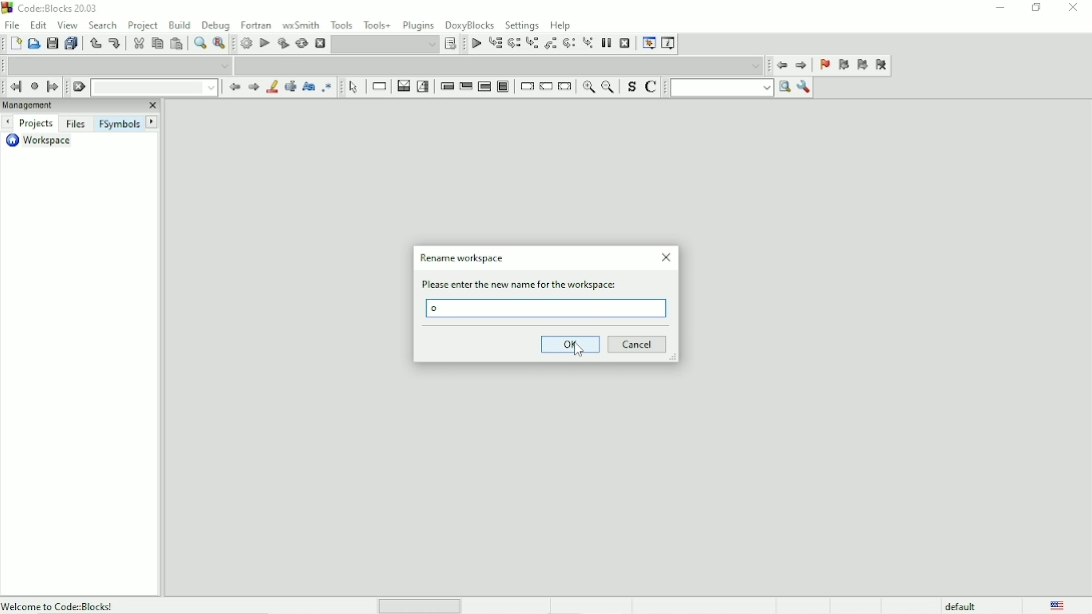 This screenshot has width=1092, height=614. Describe the element at coordinates (526, 87) in the screenshot. I see `Break instruction` at that location.